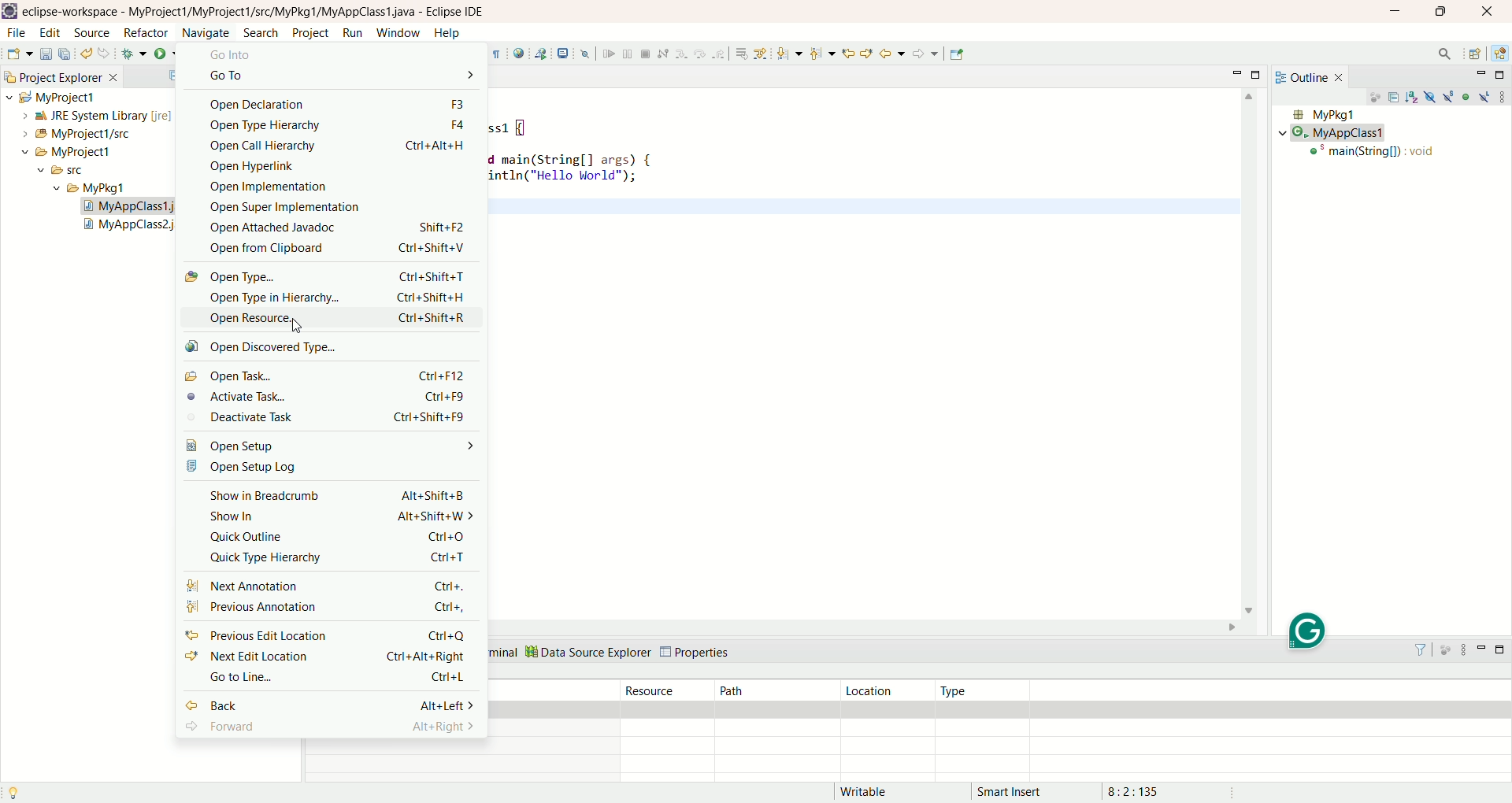  What do you see at coordinates (847, 54) in the screenshot?
I see `previous edit location` at bounding box center [847, 54].